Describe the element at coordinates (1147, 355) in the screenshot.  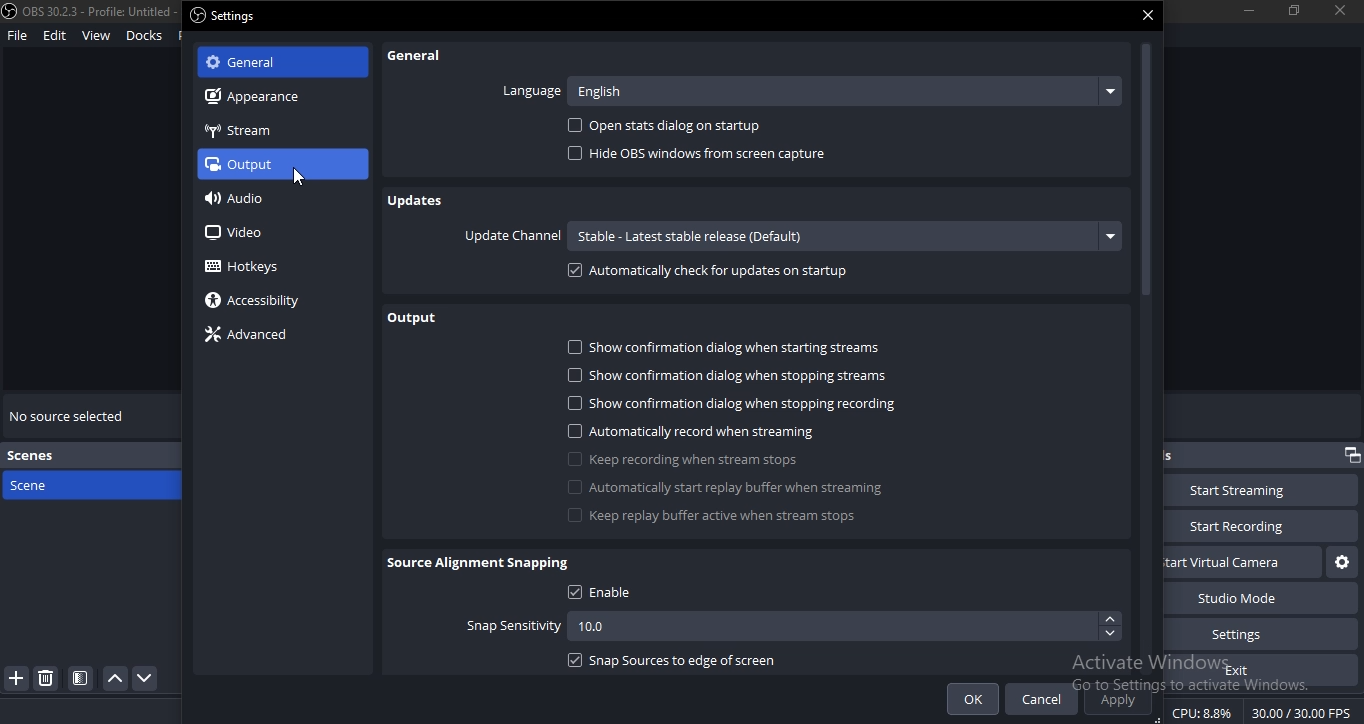
I see `scrollbar` at that location.